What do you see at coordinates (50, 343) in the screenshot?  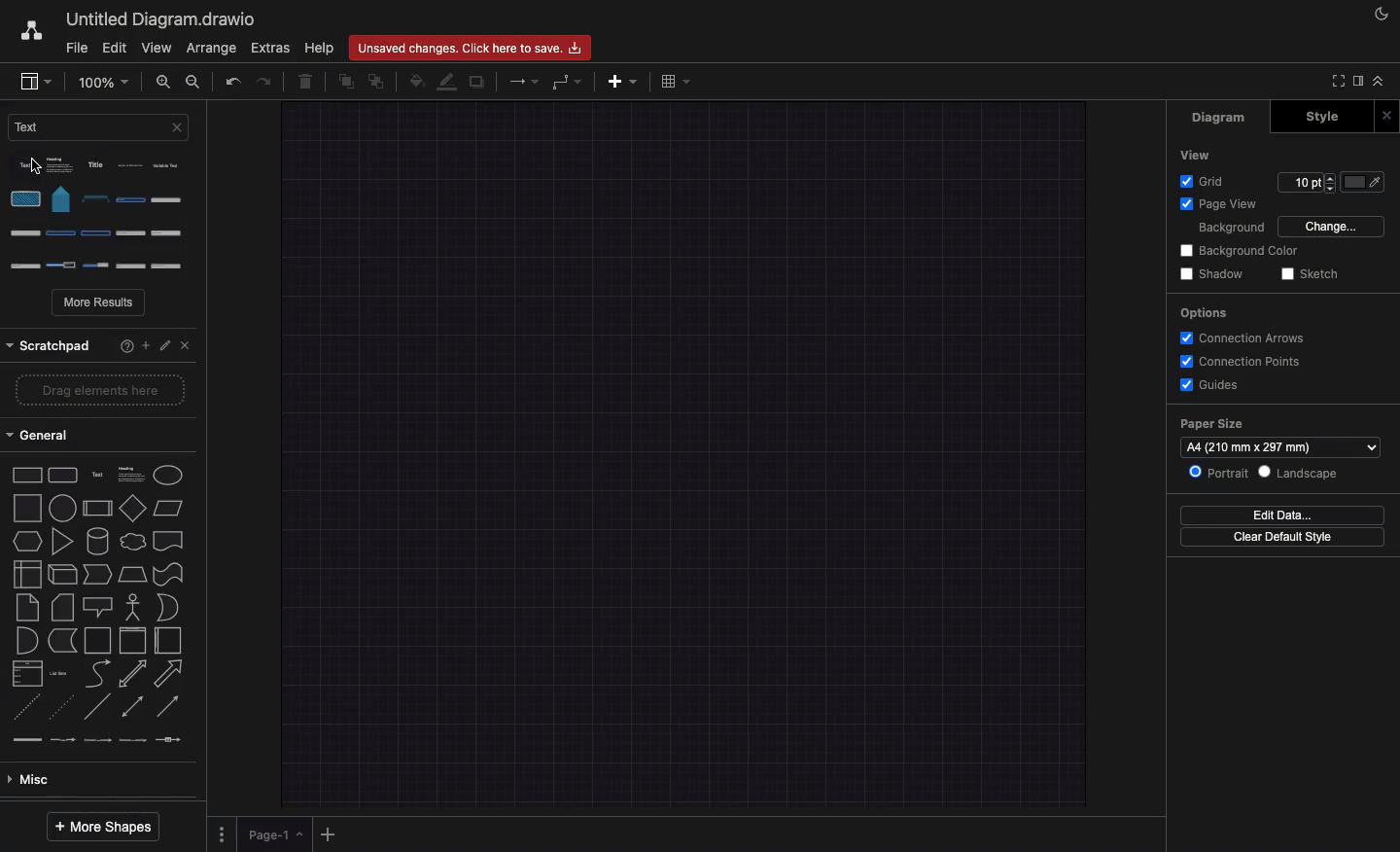 I see `Scratchpad` at bounding box center [50, 343].